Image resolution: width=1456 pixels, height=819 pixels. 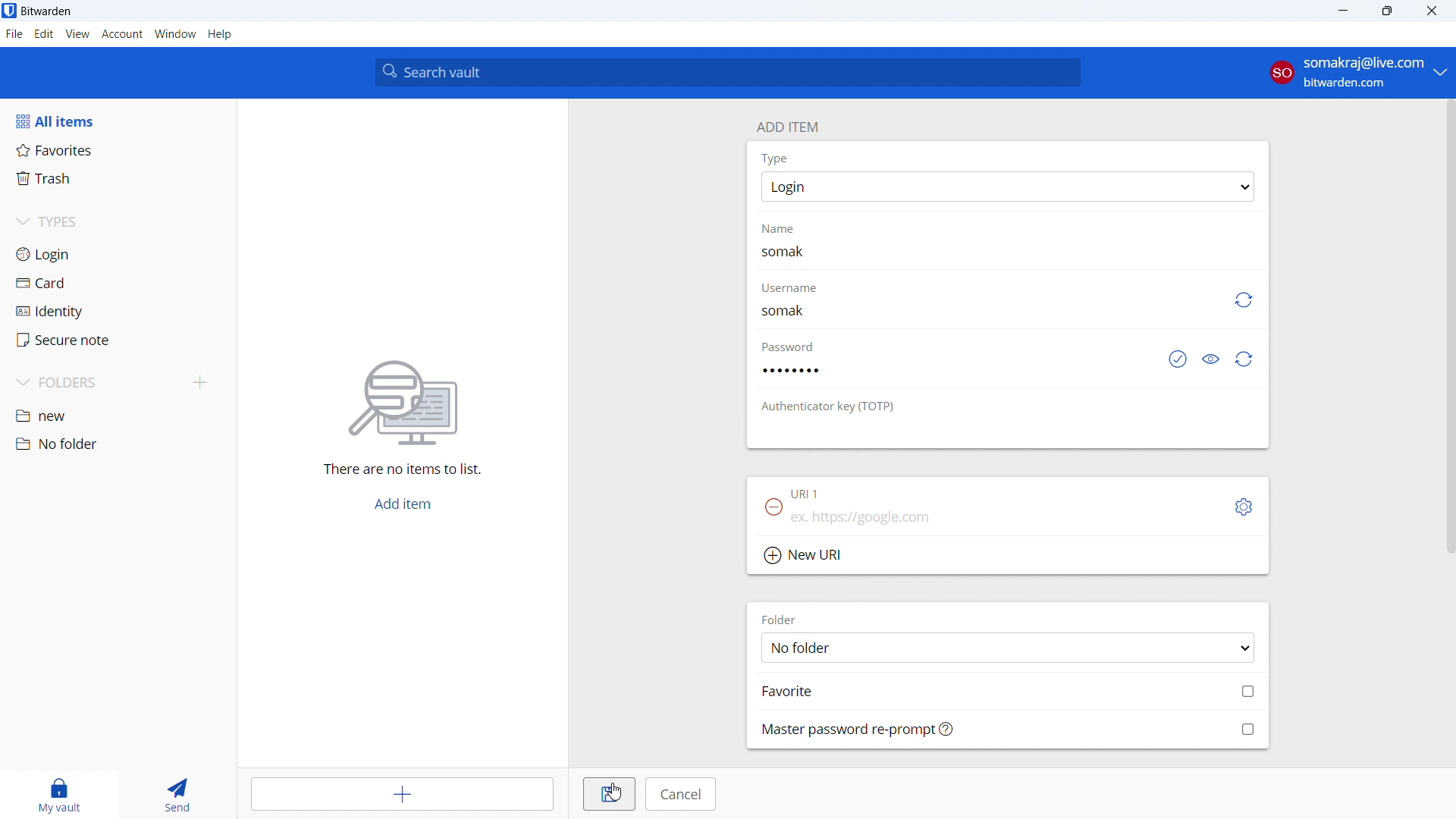 What do you see at coordinates (1386, 11) in the screenshot?
I see `maximize` at bounding box center [1386, 11].